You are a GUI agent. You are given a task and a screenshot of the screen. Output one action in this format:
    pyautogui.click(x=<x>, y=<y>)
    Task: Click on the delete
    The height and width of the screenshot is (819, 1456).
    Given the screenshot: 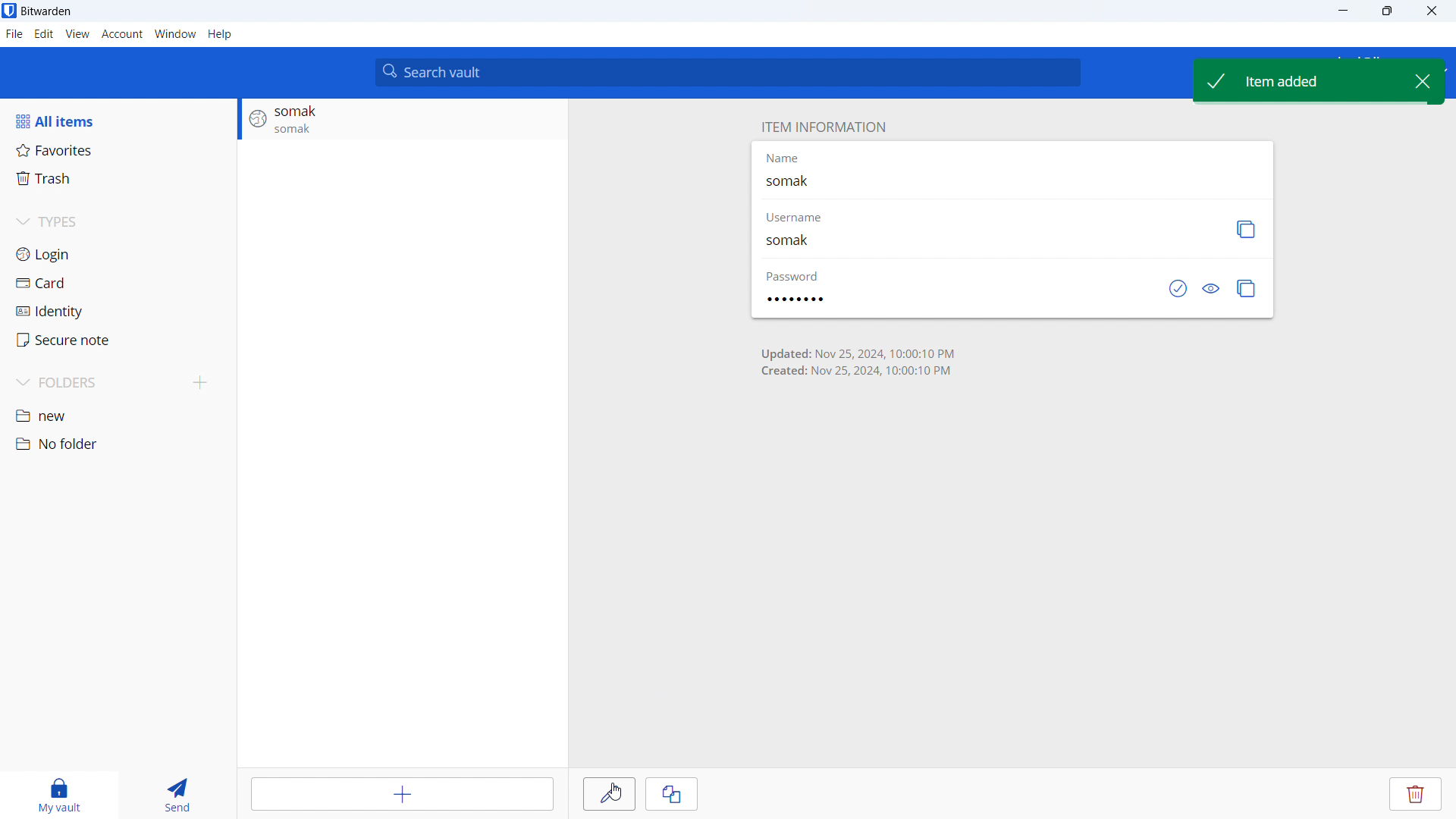 What is the action you would take?
    pyautogui.click(x=1414, y=794)
    